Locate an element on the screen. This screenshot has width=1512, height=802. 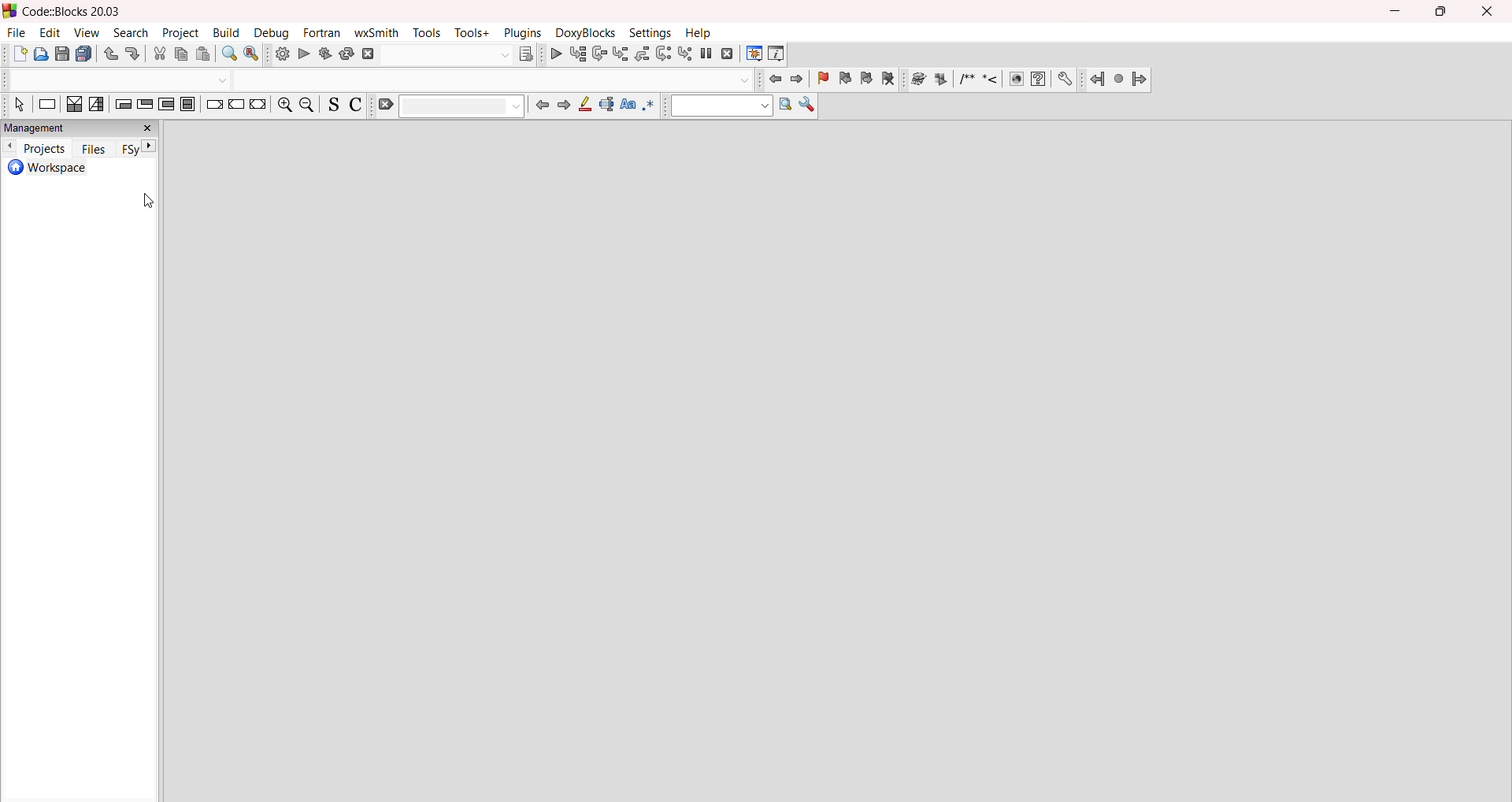
show the select target dialog is located at coordinates (458, 54).